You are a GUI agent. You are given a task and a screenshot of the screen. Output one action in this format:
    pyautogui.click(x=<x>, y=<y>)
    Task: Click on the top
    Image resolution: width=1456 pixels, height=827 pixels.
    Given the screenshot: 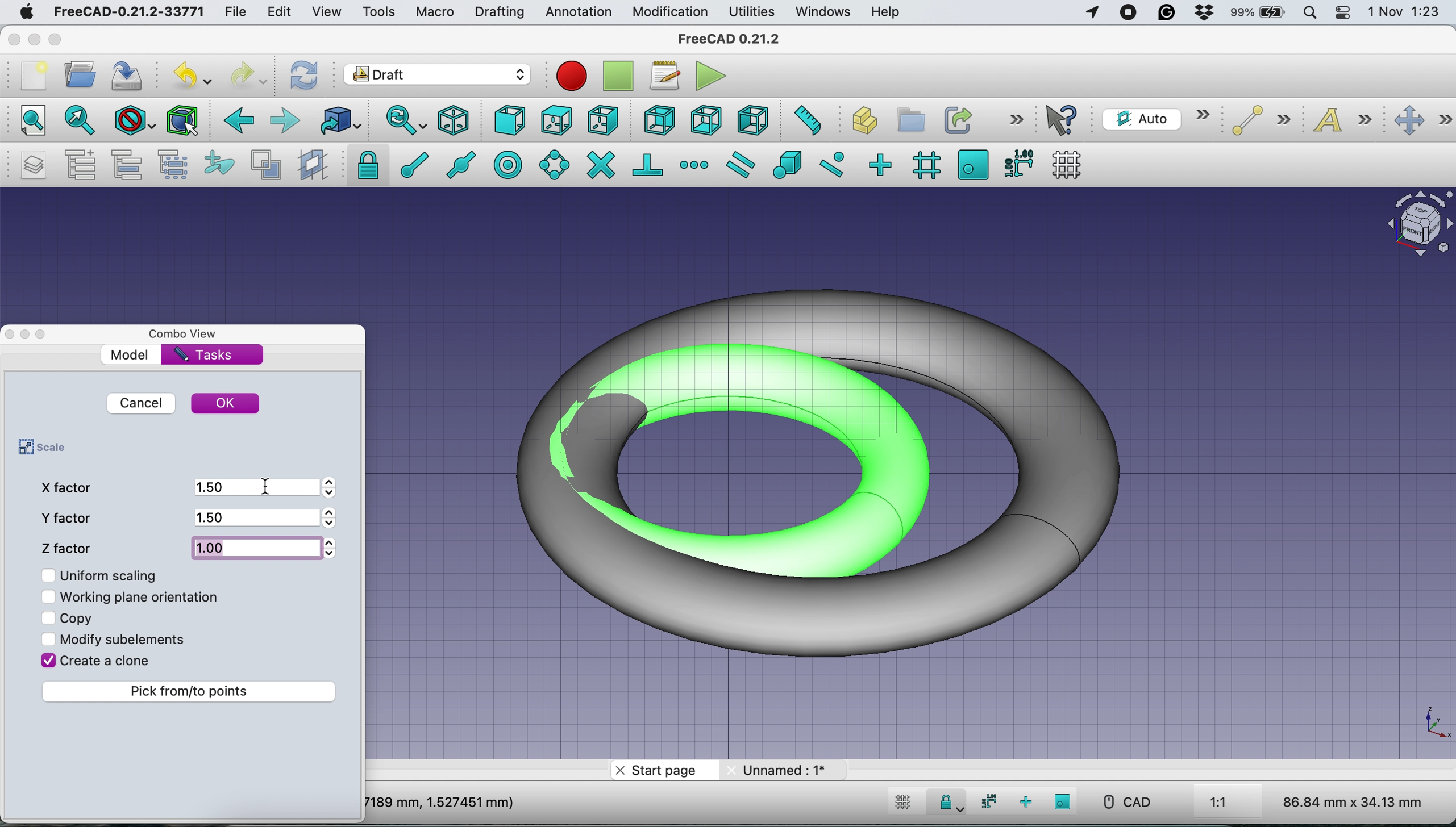 What is the action you would take?
    pyautogui.click(x=555, y=119)
    